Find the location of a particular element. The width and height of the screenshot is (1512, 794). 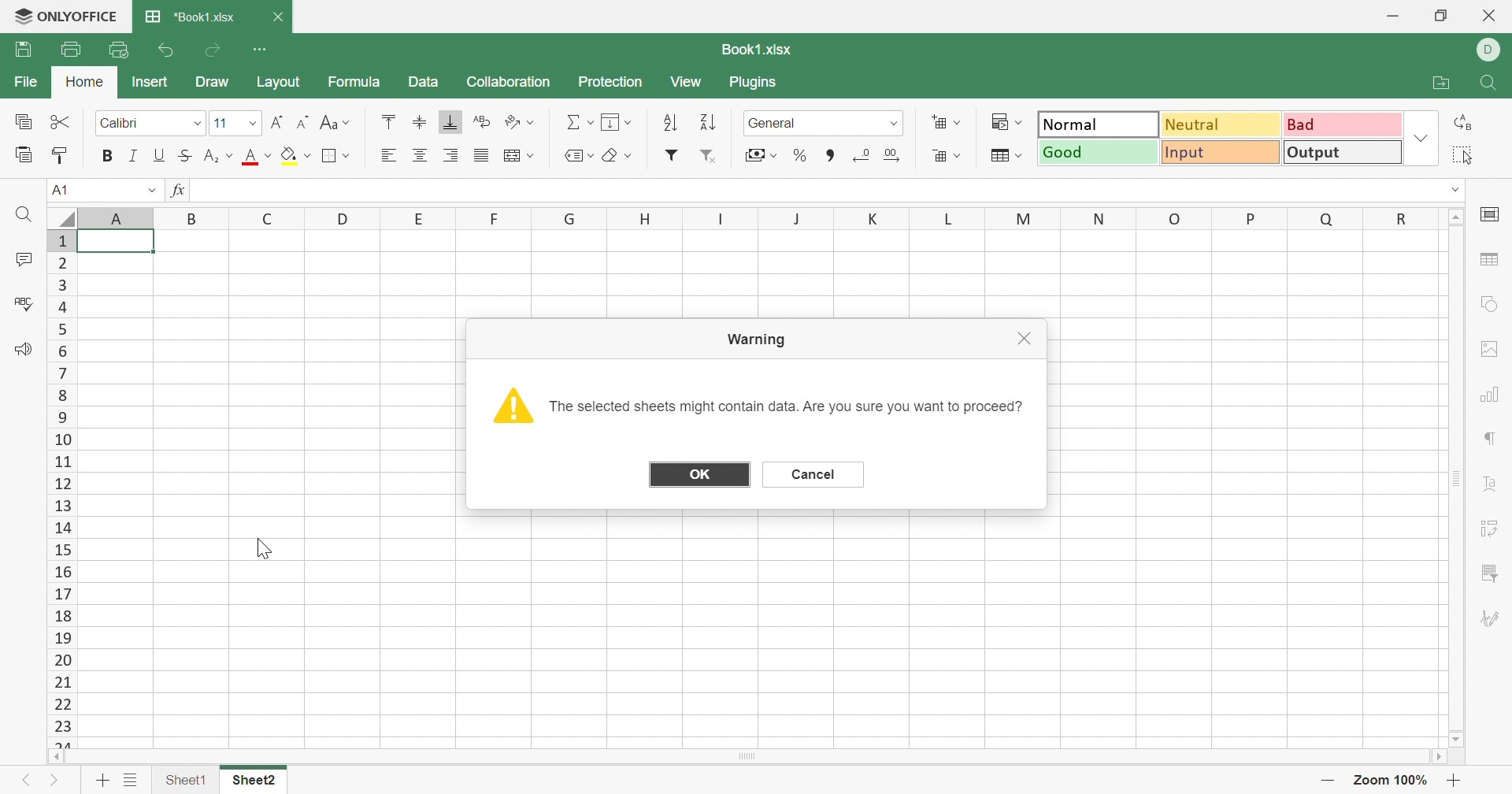

Underline is located at coordinates (160, 155).